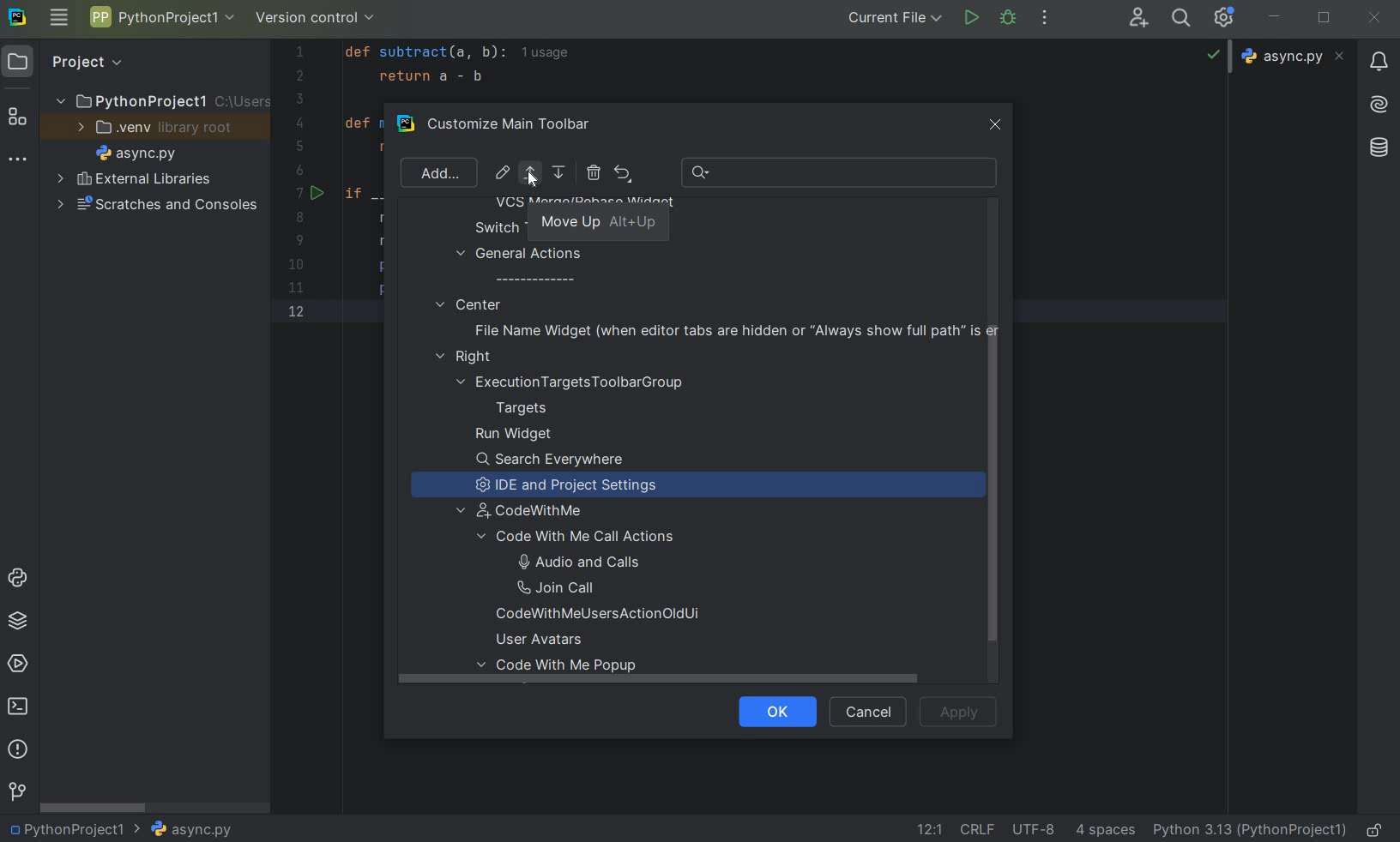  Describe the element at coordinates (973, 19) in the screenshot. I see `RUN` at that location.